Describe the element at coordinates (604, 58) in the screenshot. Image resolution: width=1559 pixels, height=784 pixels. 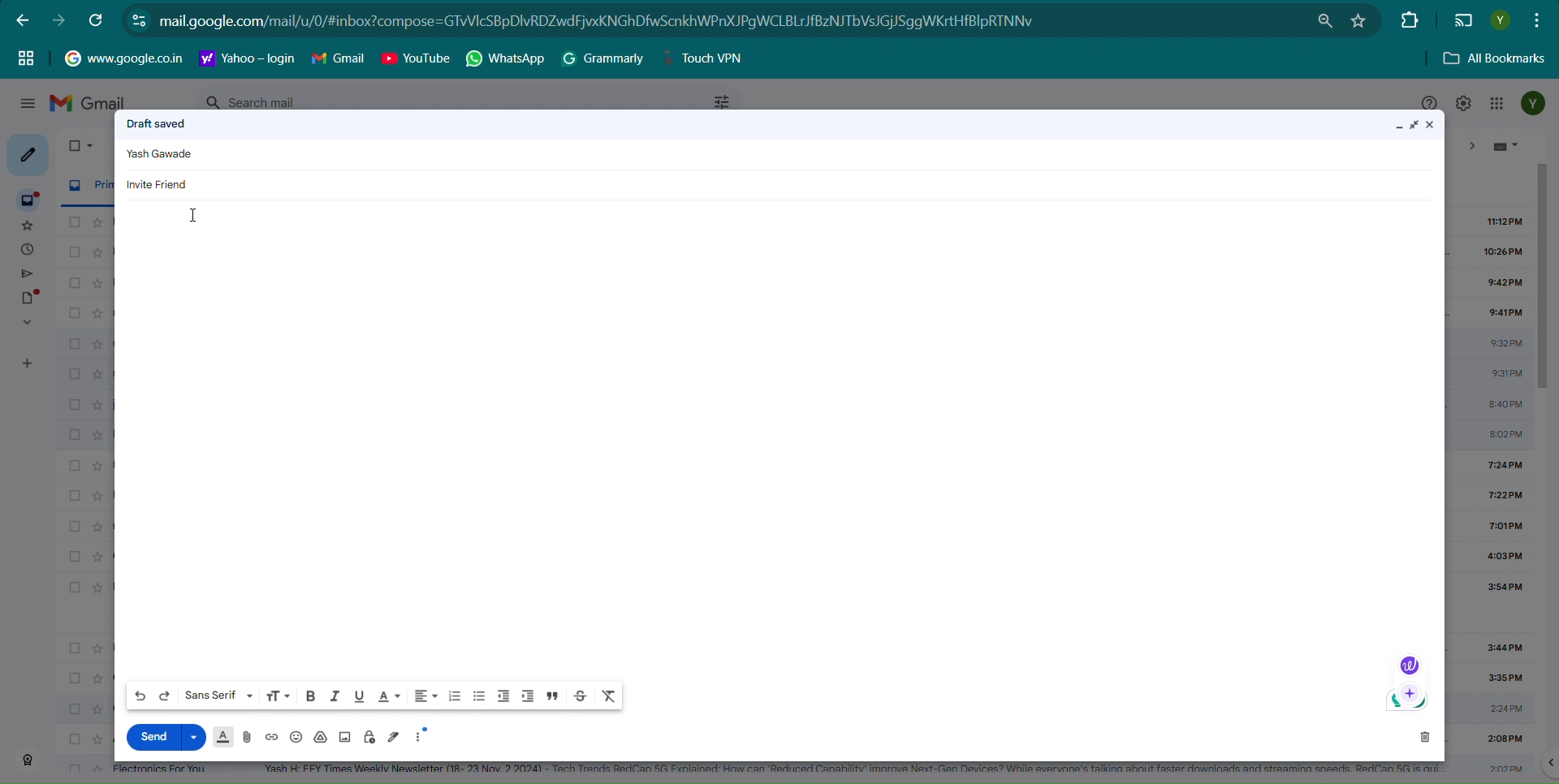
I see `Grammarly` at that location.